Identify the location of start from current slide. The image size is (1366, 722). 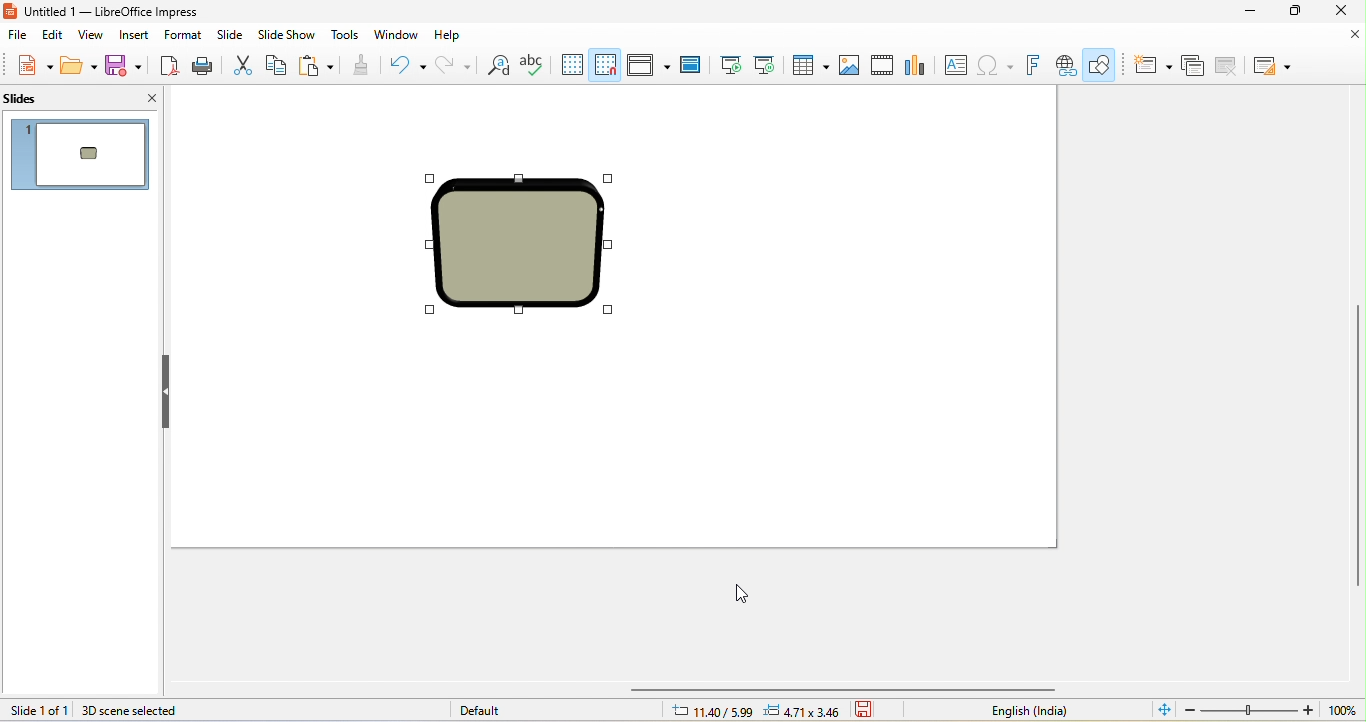
(767, 65).